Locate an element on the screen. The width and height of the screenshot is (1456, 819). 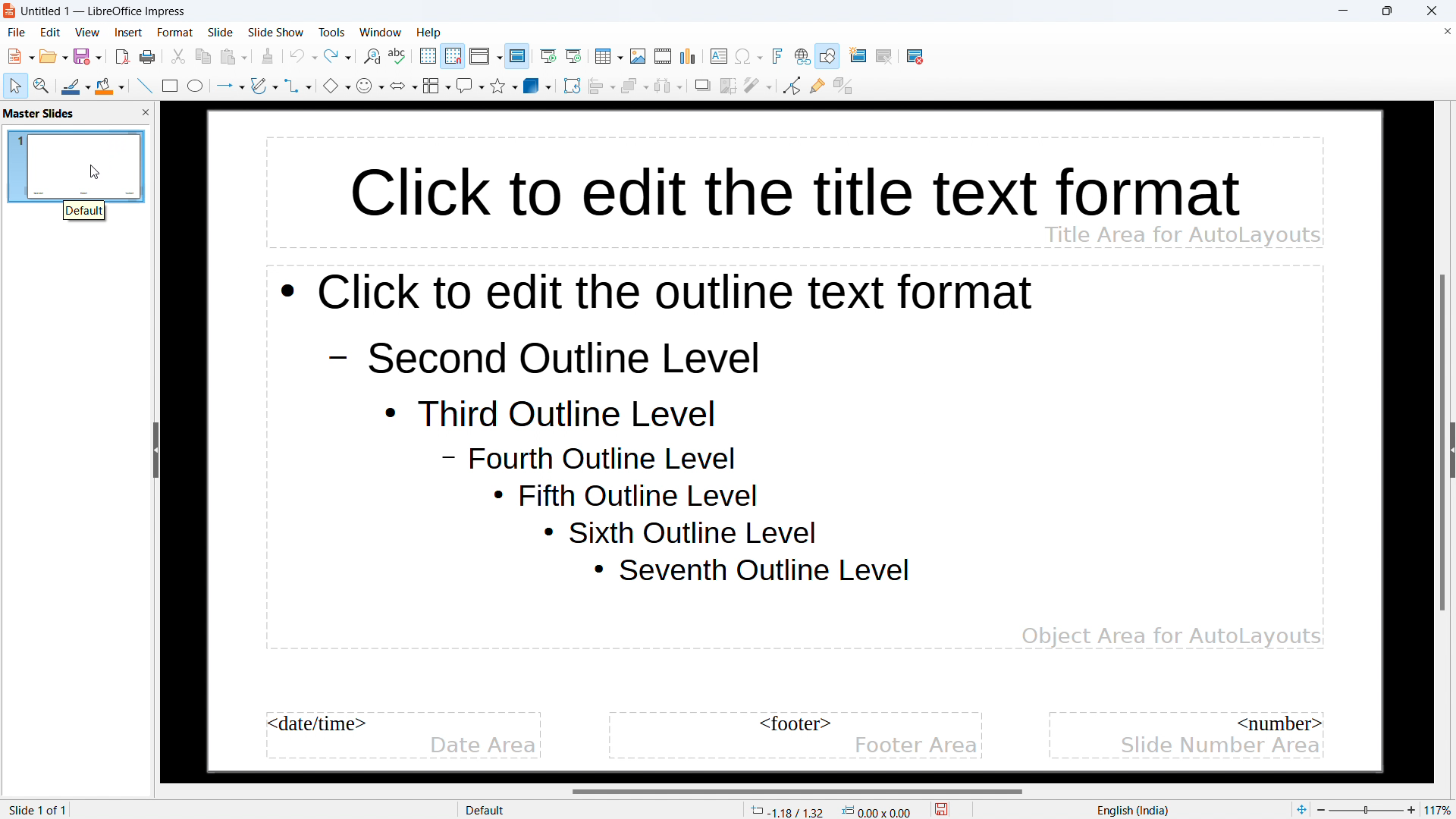
find and replace is located at coordinates (372, 57).